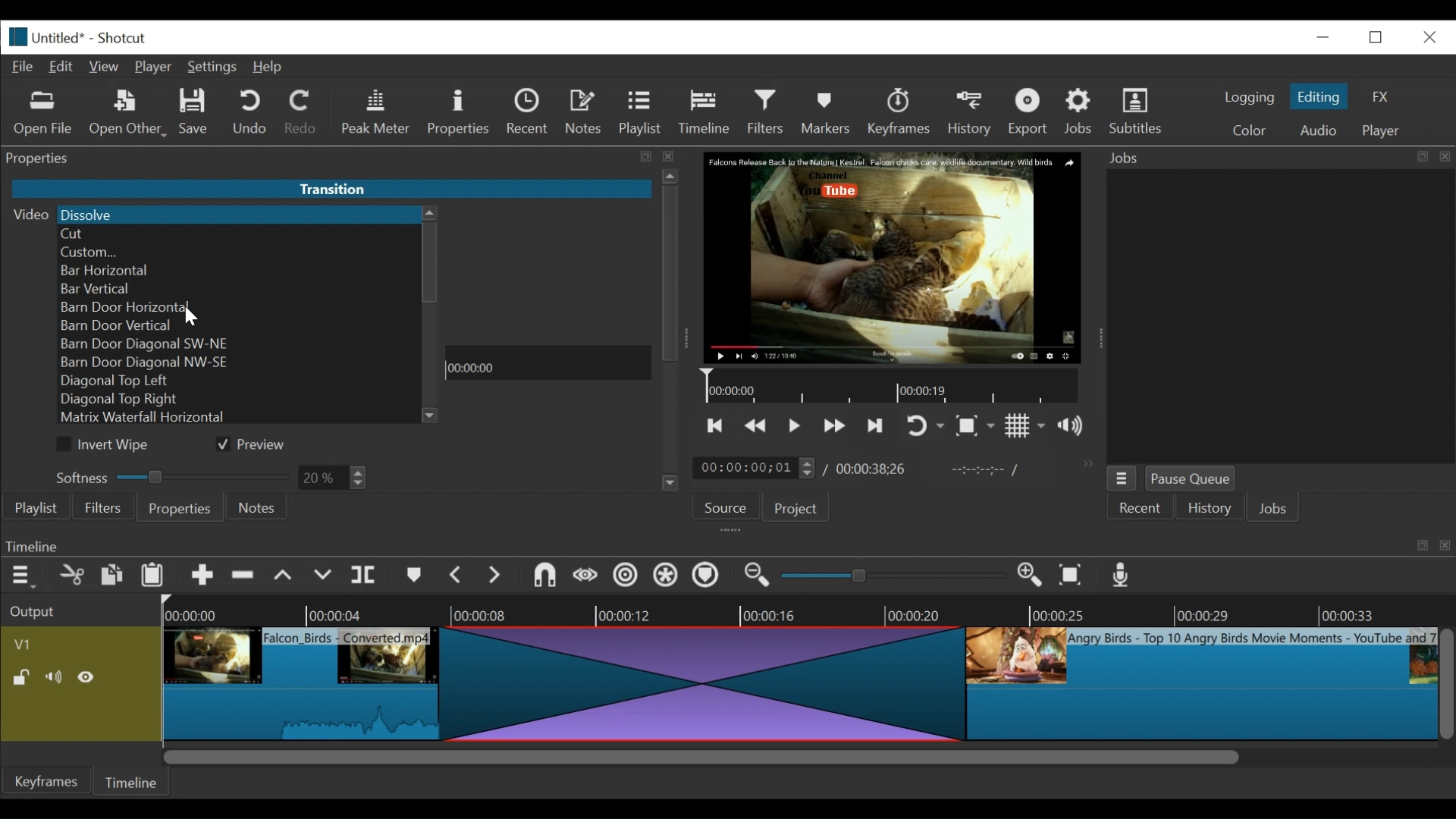 This screenshot has height=819, width=1456. Describe the element at coordinates (238, 270) in the screenshot. I see `Bar Horizontal` at that location.